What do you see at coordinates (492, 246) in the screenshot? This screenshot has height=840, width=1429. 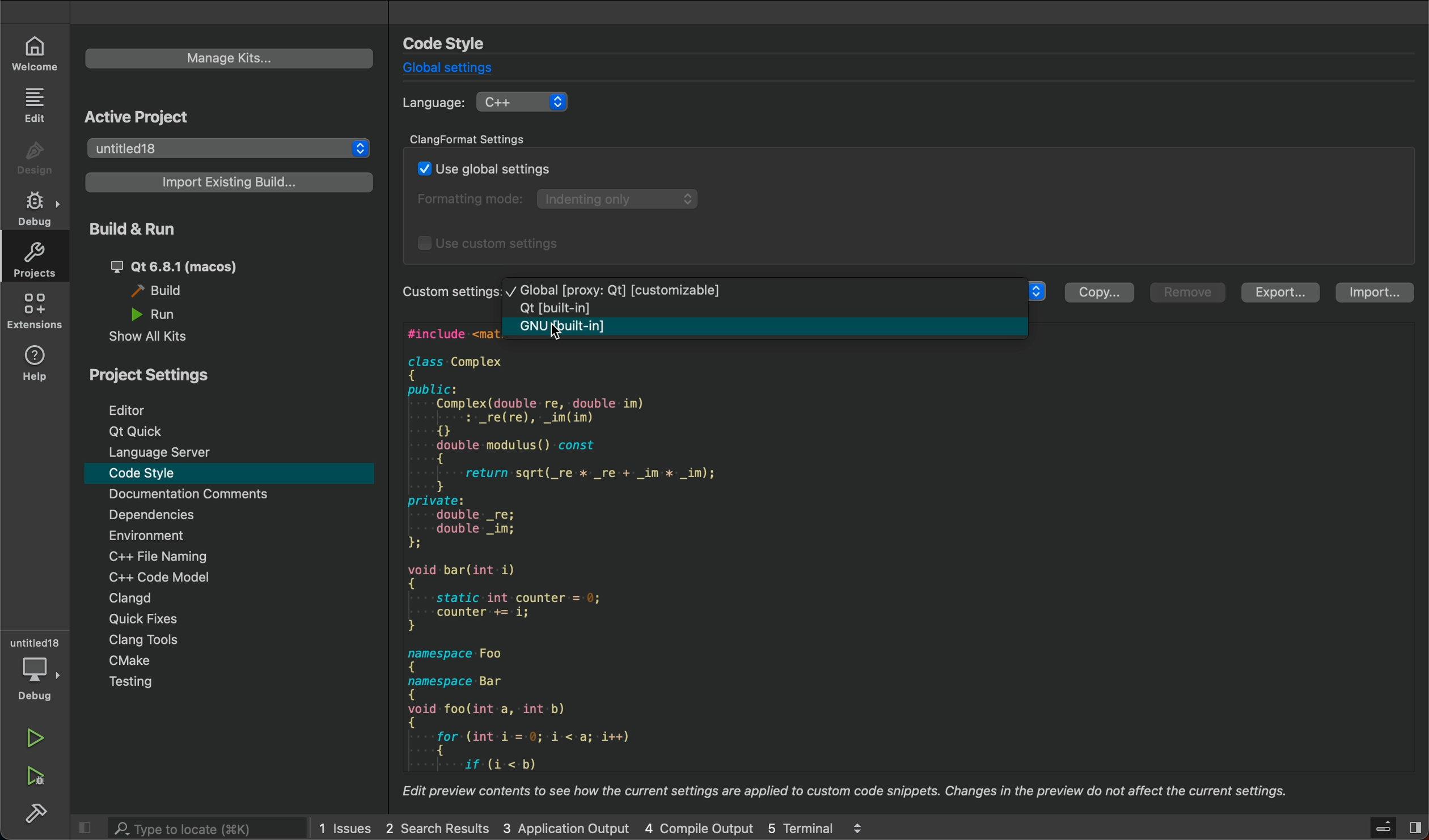 I see `use custom settings ` at bounding box center [492, 246].